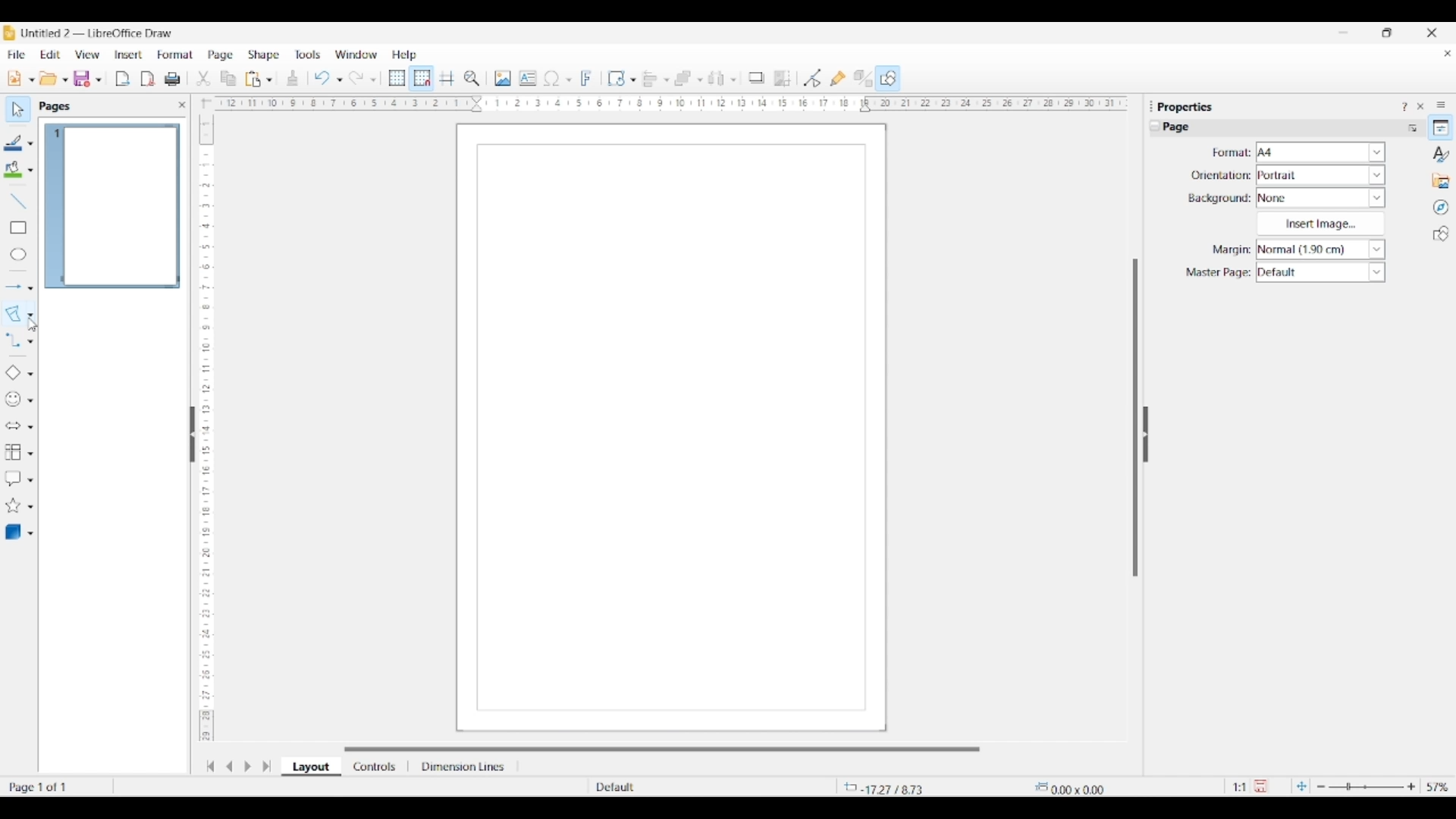 The height and width of the screenshot is (819, 1456). What do you see at coordinates (1441, 208) in the screenshot?
I see `Navigator` at bounding box center [1441, 208].